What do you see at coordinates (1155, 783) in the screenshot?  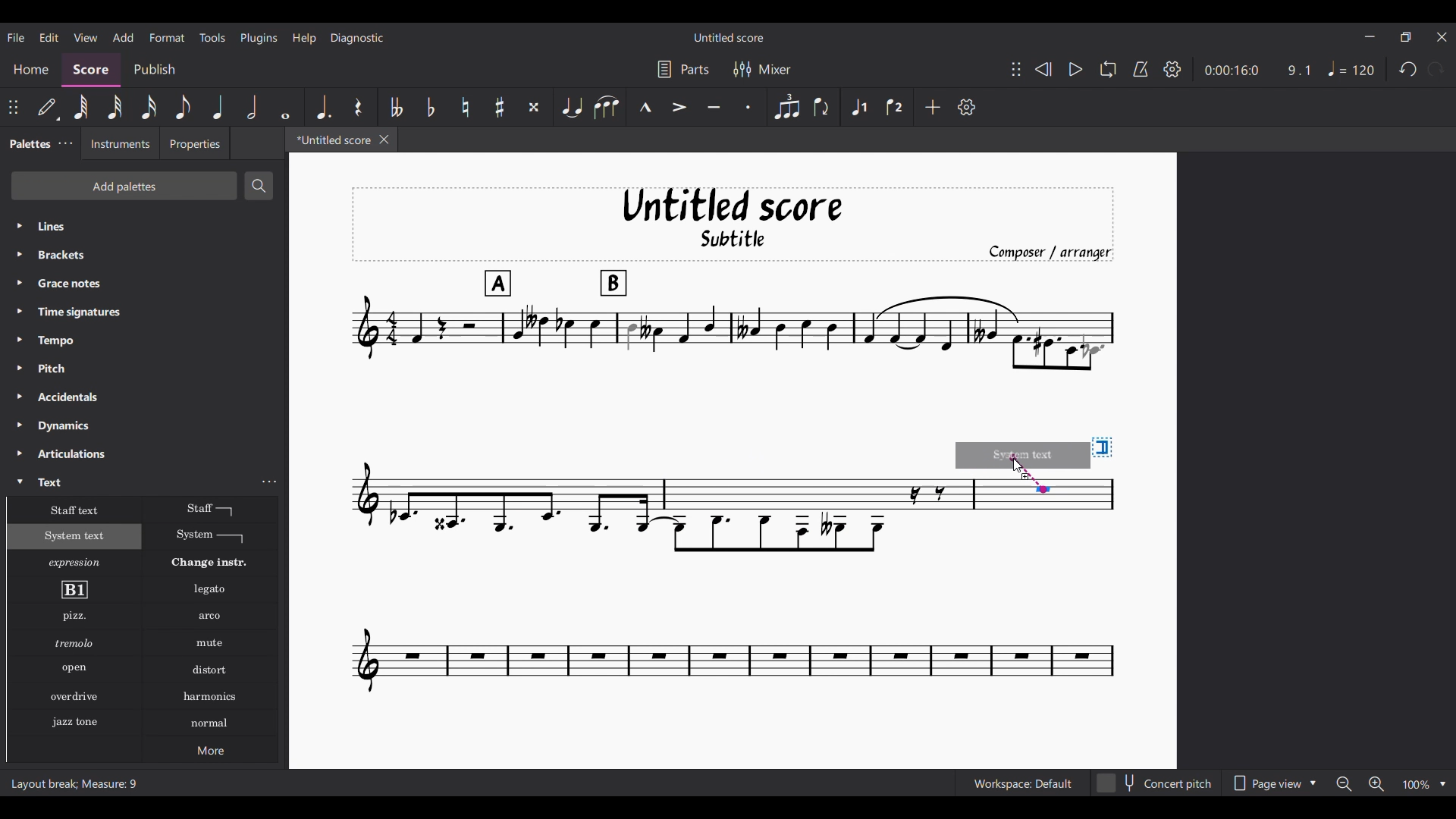 I see `Concert pitch toggle` at bounding box center [1155, 783].